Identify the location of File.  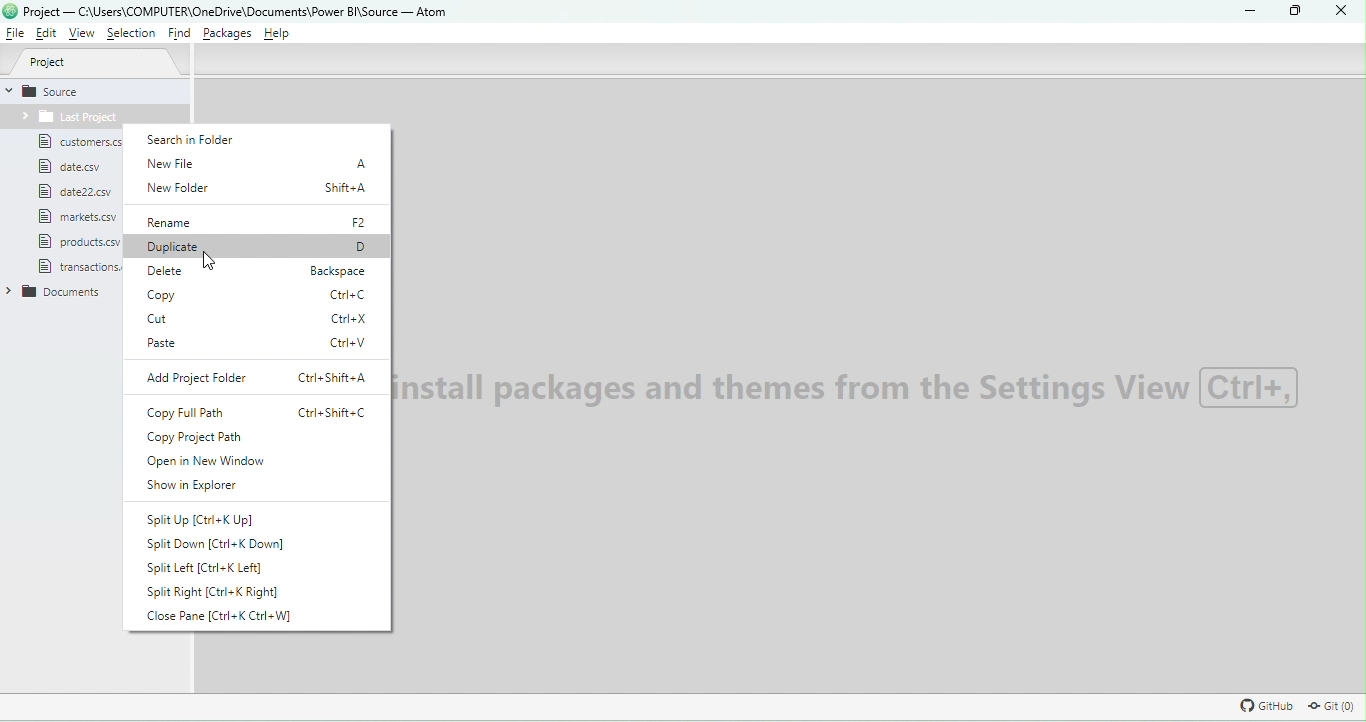
(68, 241).